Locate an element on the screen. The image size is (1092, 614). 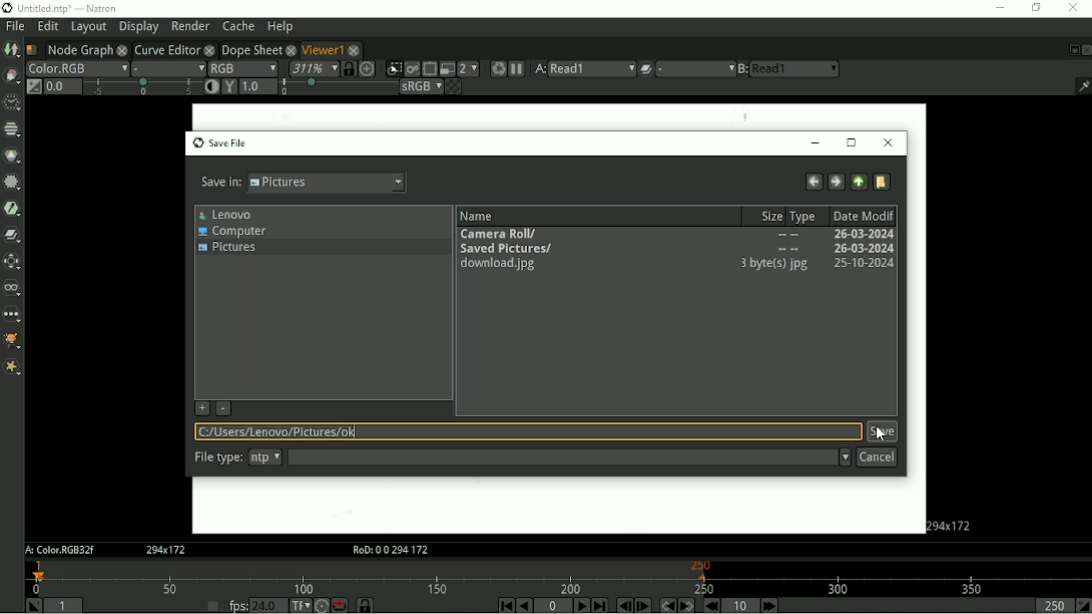
Alpha channel is located at coordinates (168, 68).